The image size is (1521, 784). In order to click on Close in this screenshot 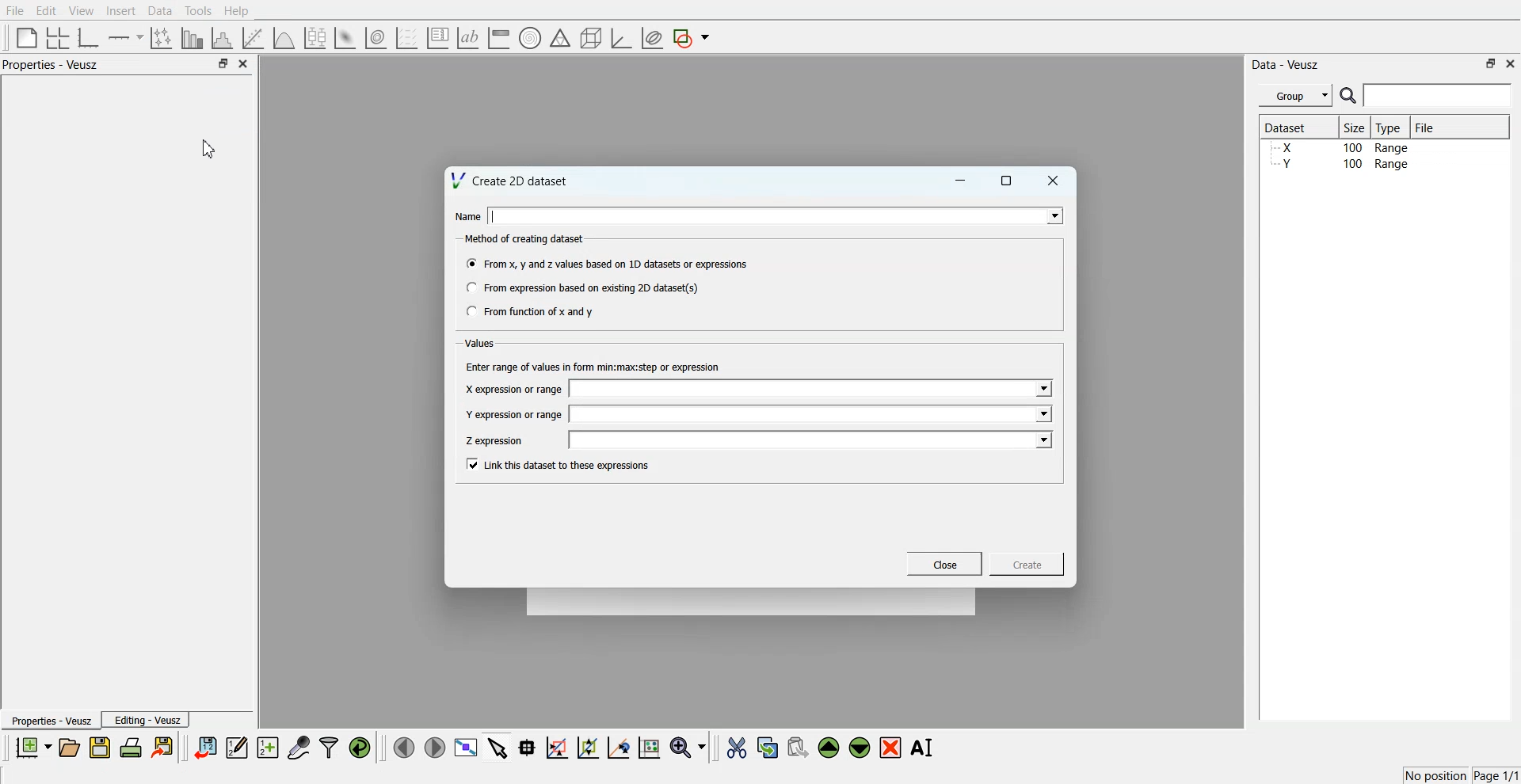, I will do `click(945, 564)`.